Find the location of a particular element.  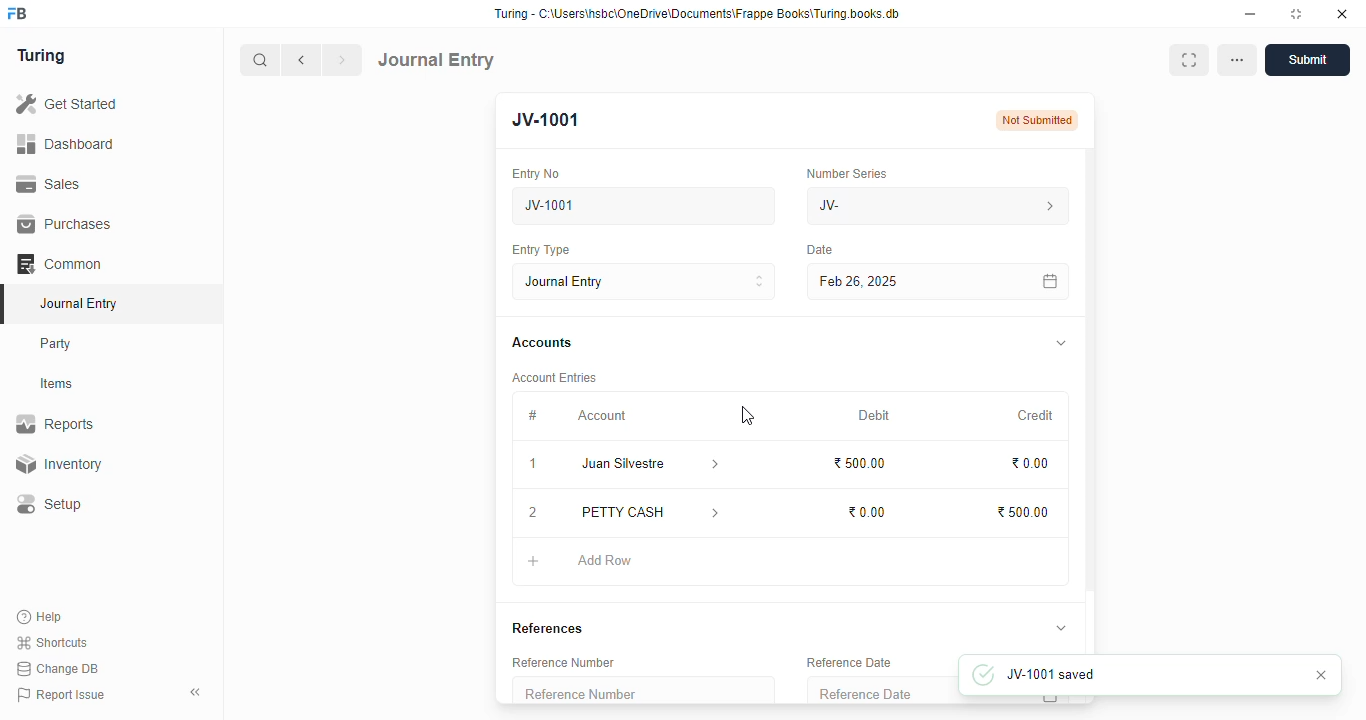

reference date is located at coordinates (848, 662).